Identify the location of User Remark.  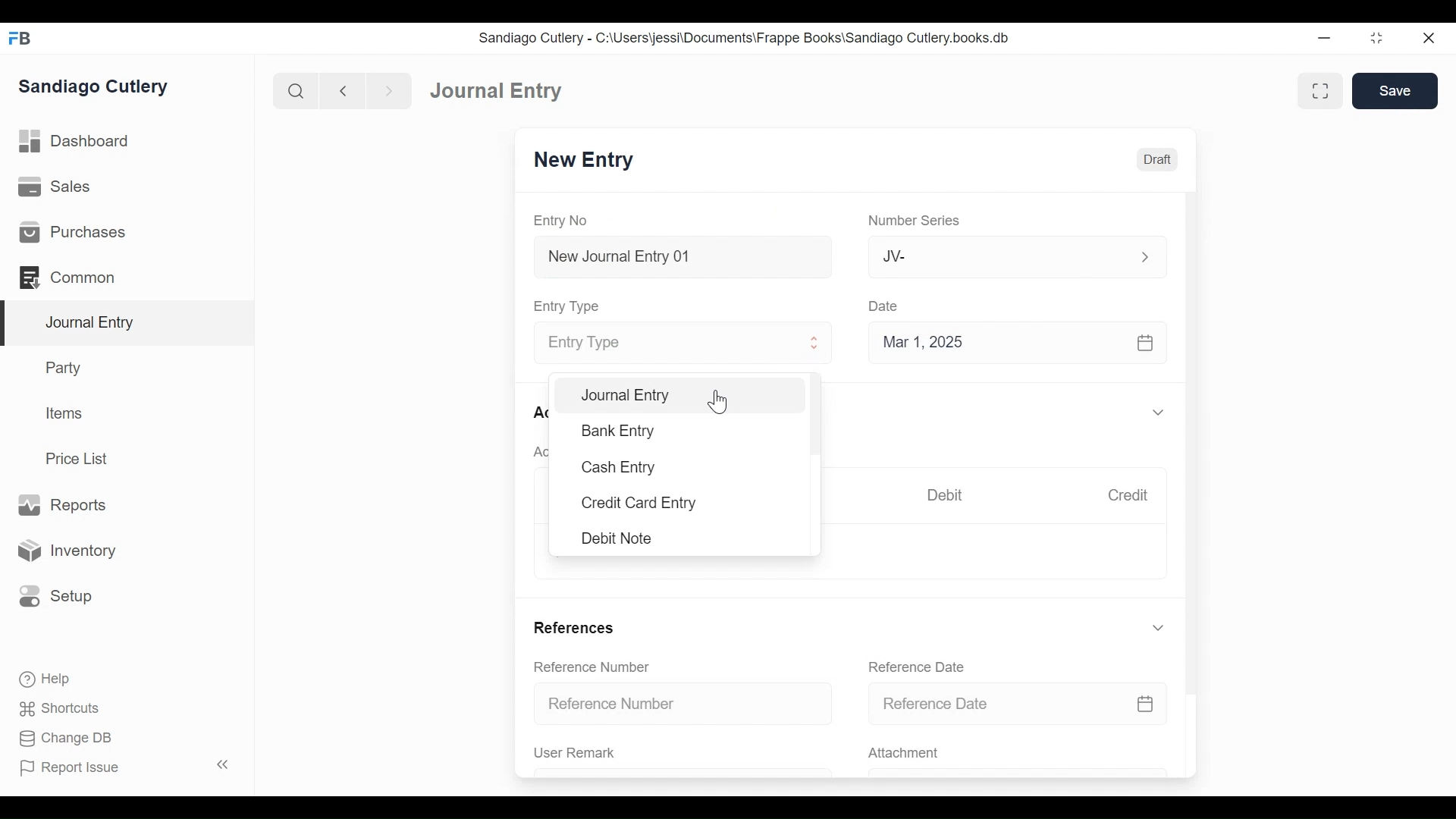
(682, 756).